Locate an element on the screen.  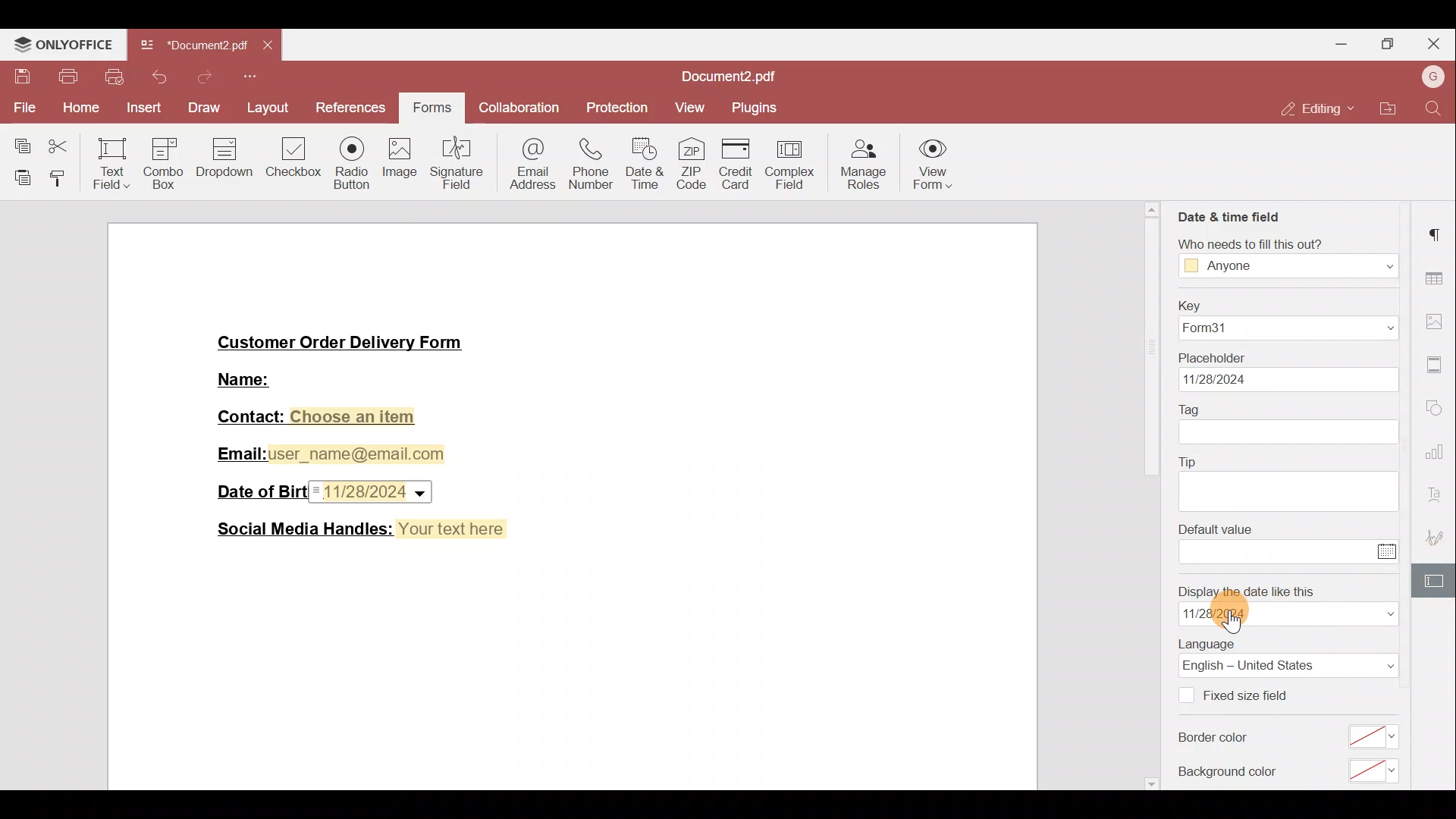
Display the date like this is located at coordinates (1248, 590).